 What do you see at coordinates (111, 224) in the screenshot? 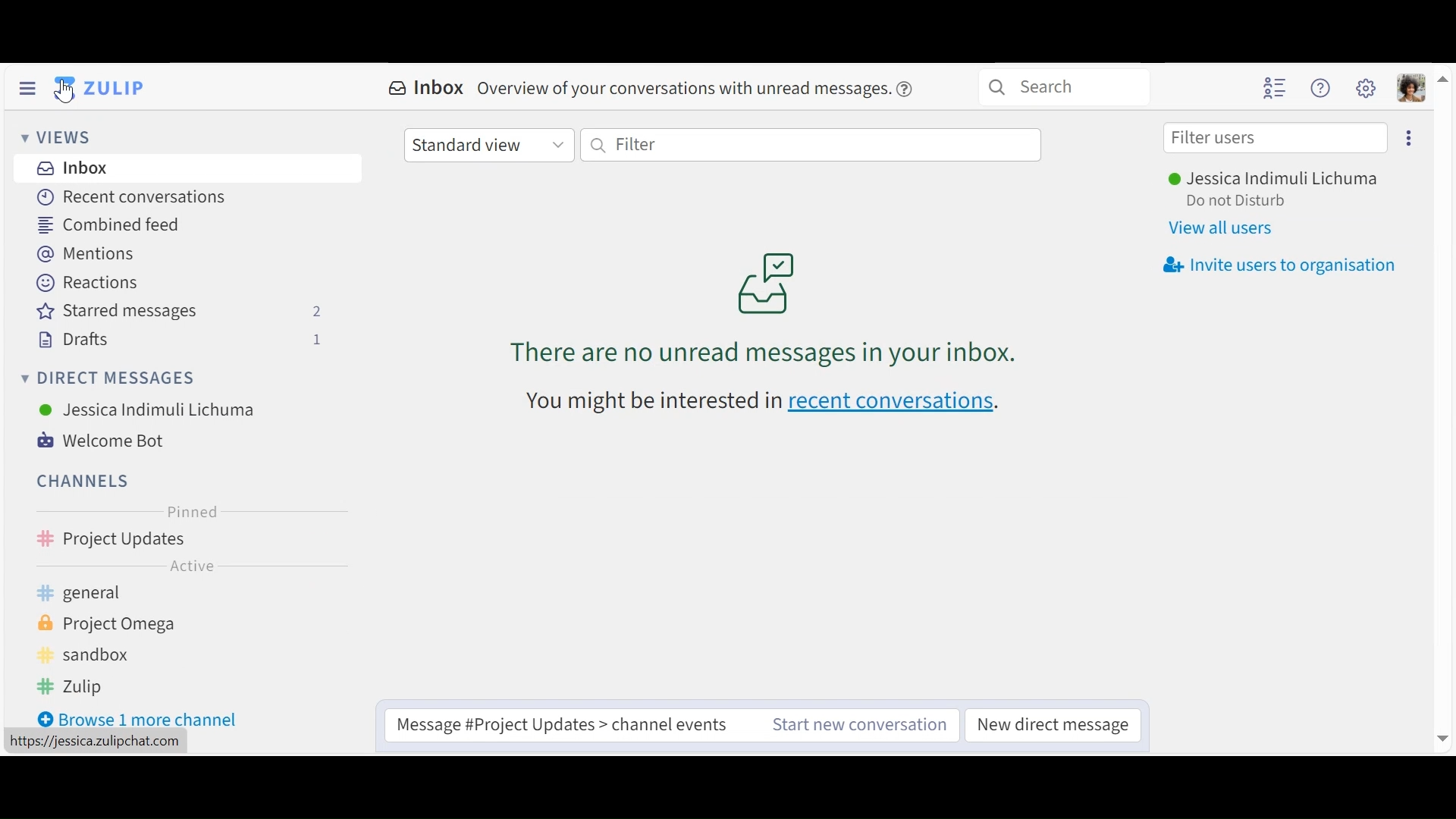
I see `Combined feed` at bounding box center [111, 224].